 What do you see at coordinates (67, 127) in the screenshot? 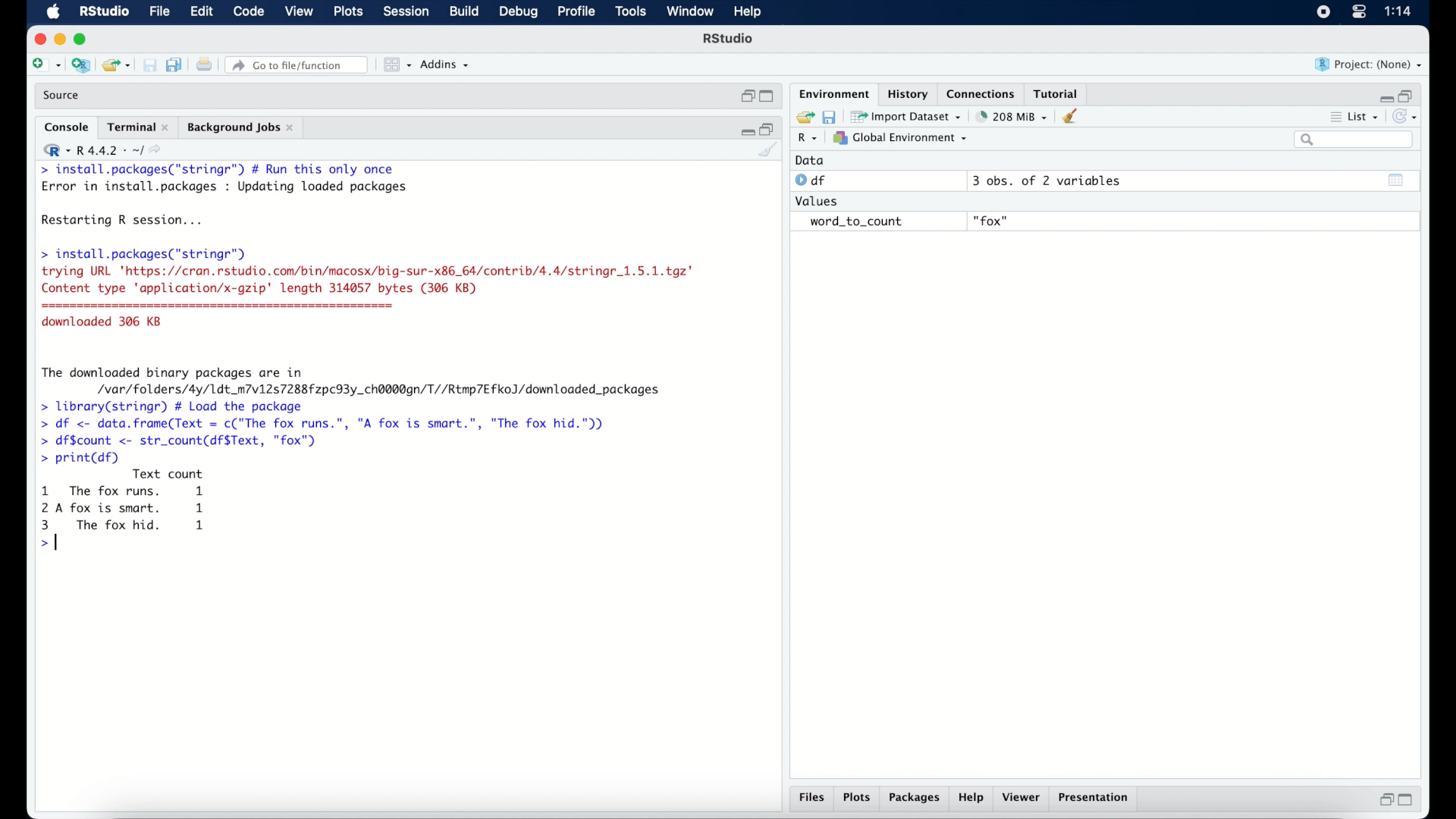
I see `console` at bounding box center [67, 127].